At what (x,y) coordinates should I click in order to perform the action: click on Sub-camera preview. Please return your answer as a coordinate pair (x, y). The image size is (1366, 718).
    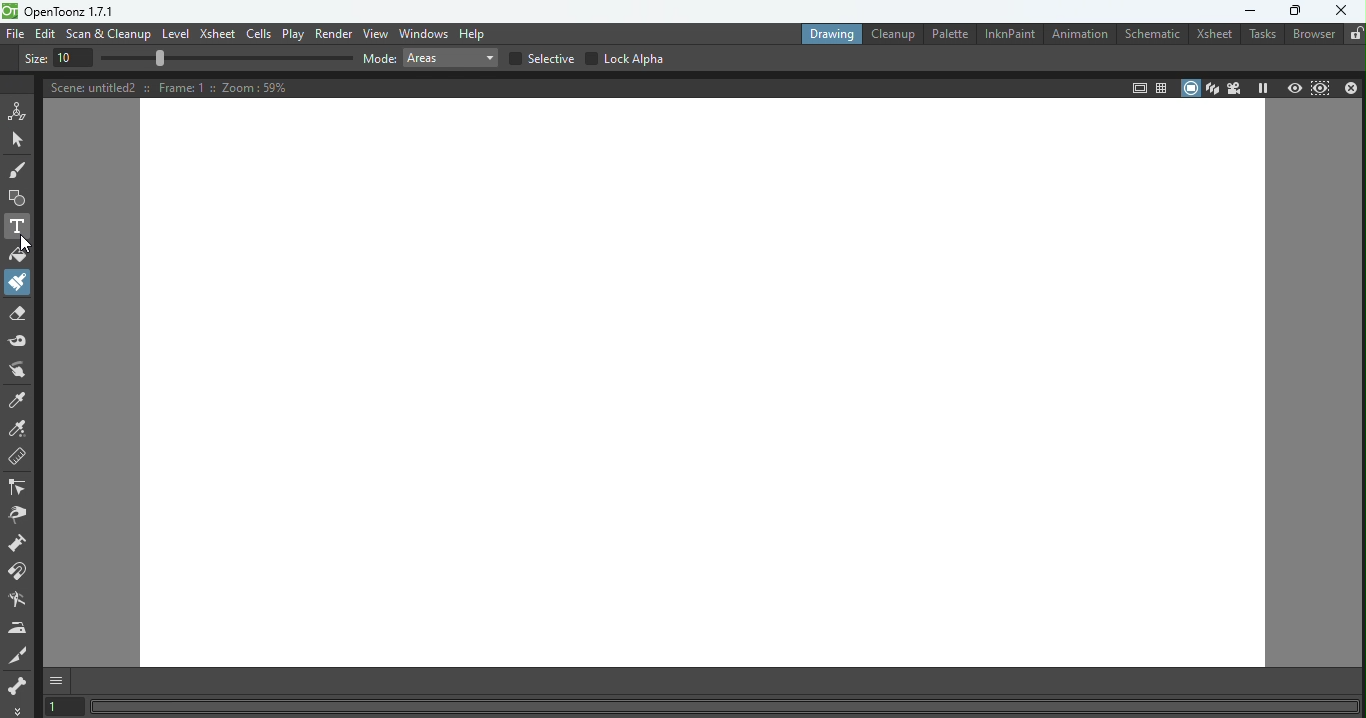
    Looking at the image, I should click on (1321, 88).